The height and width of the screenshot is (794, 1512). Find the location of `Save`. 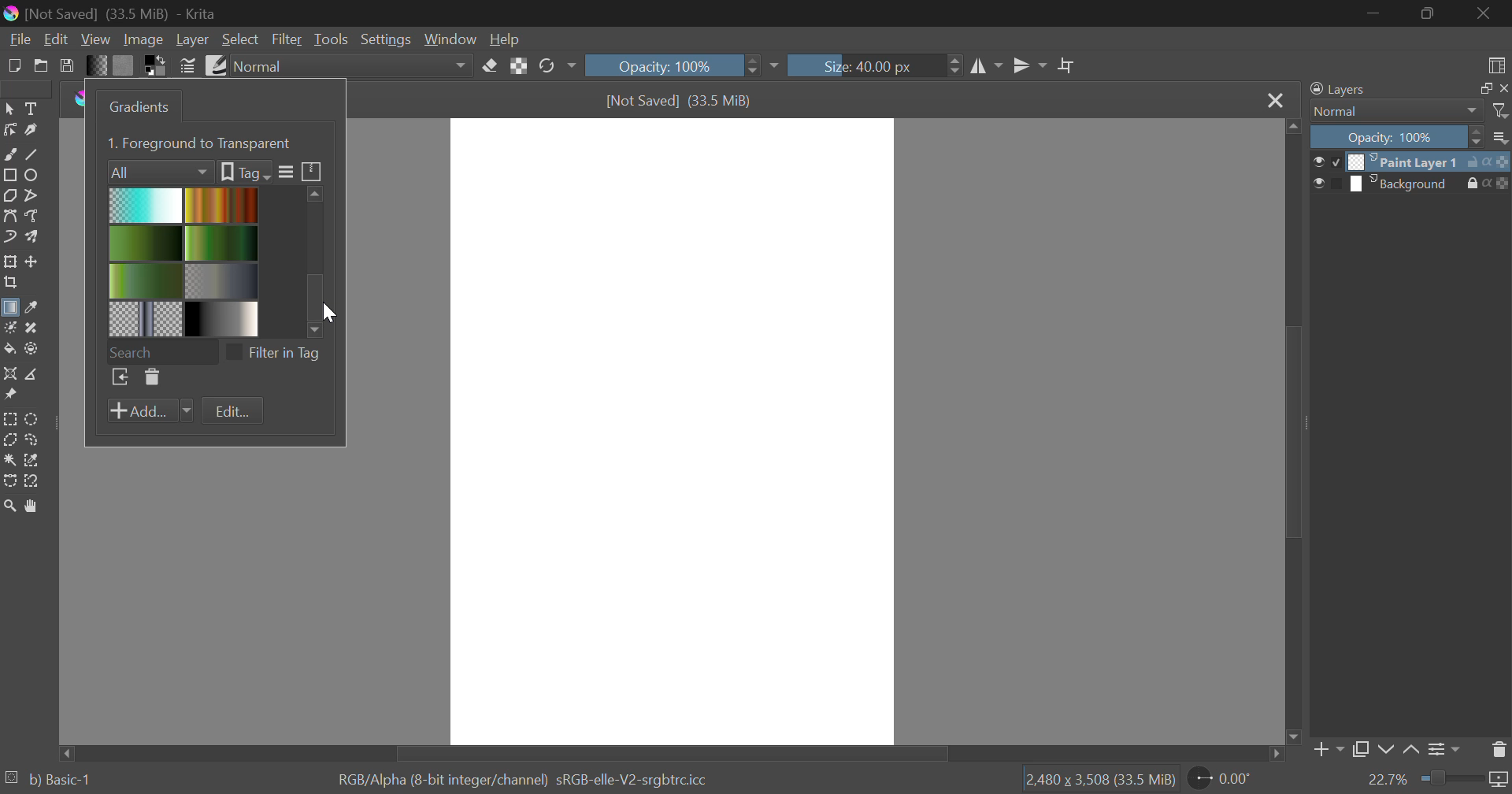

Save is located at coordinates (68, 65).